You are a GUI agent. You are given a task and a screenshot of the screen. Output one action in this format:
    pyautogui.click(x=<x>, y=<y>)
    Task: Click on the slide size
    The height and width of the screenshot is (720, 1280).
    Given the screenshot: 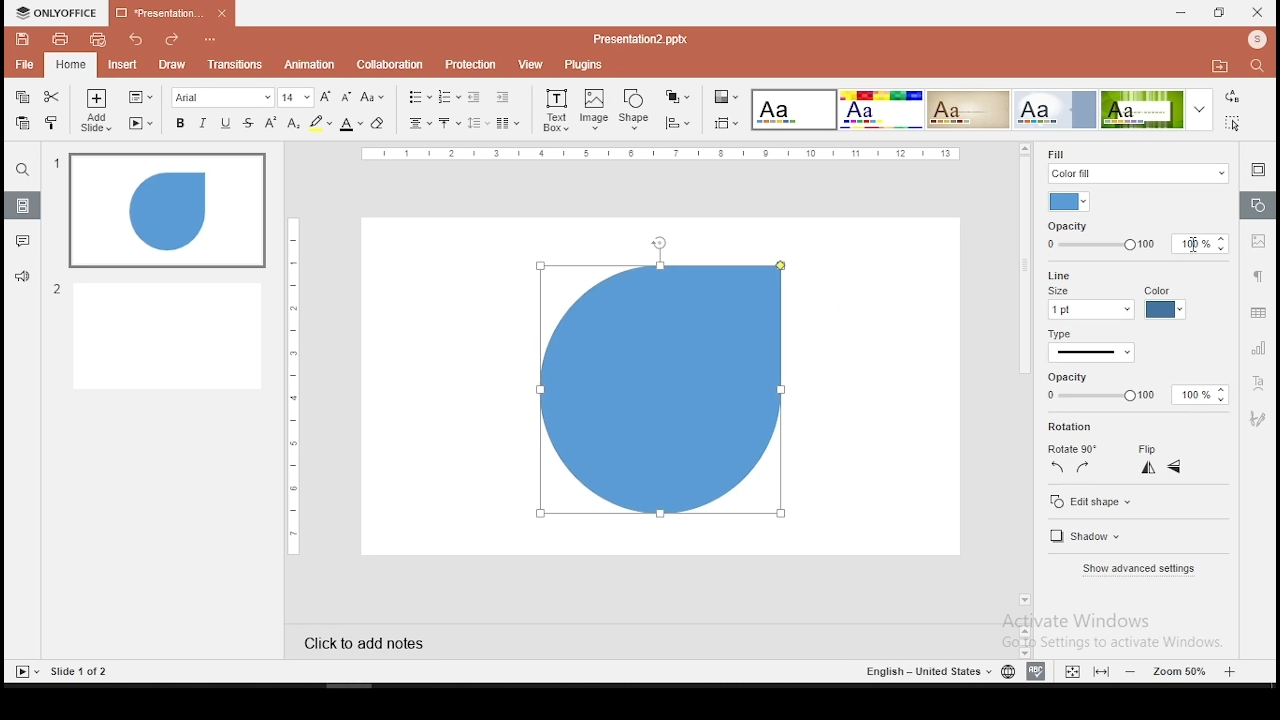 What is the action you would take?
    pyautogui.click(x=724, y=124)
    